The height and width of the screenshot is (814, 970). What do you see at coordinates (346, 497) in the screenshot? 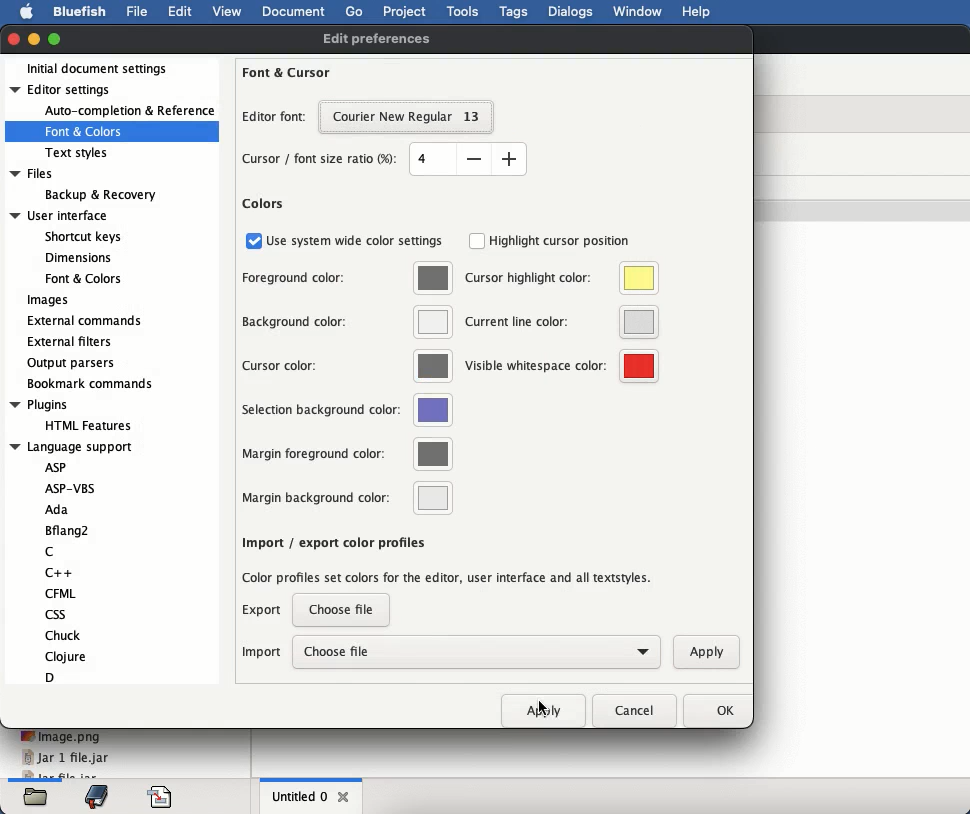
I see `margin background color` at bounding box center [346, 497].